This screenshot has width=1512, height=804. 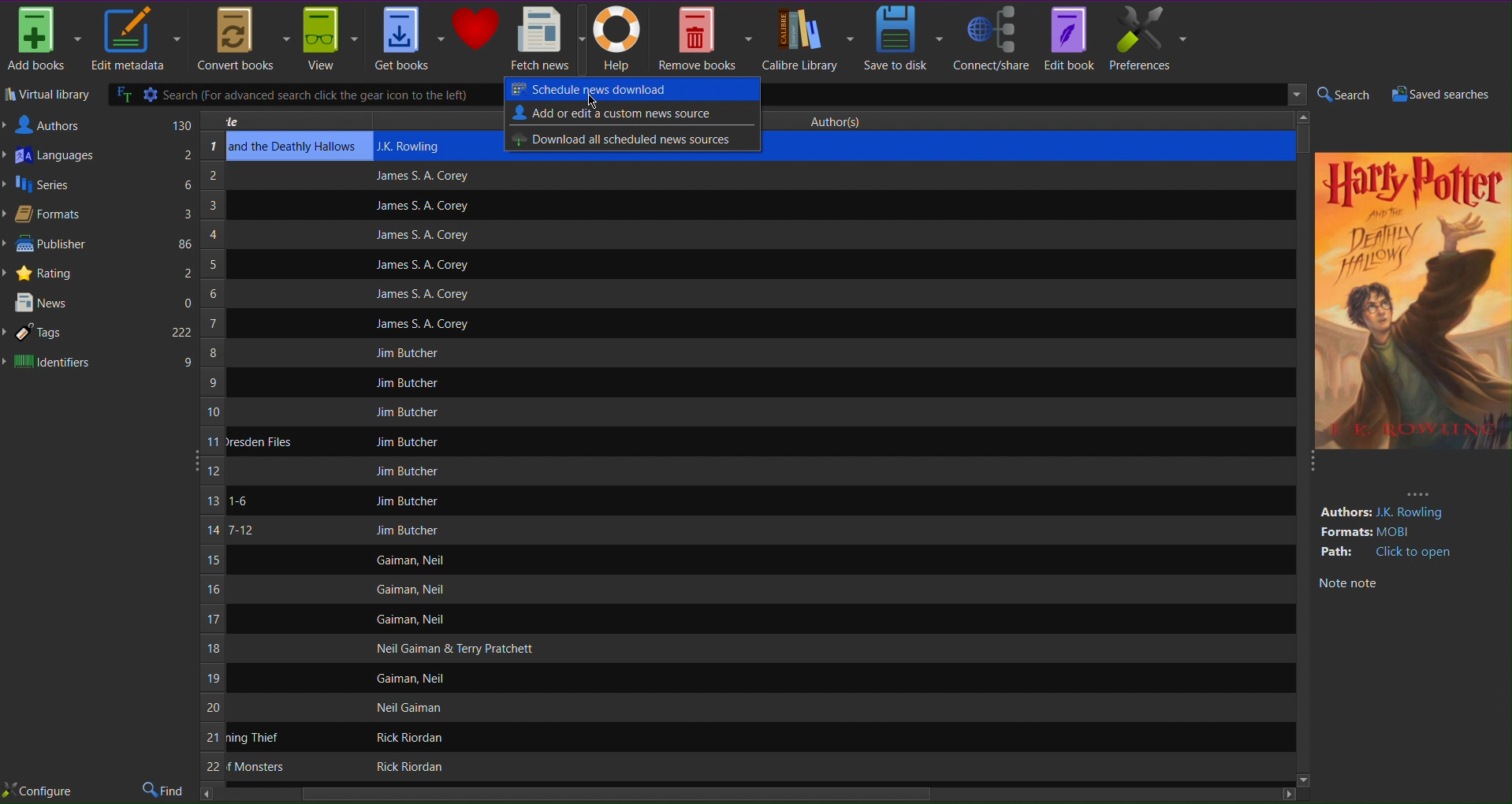 What do you see at coordinates (1415, 513) in the screenshot?
I see `JK. Rowling` at bounding box center [1415, 513].